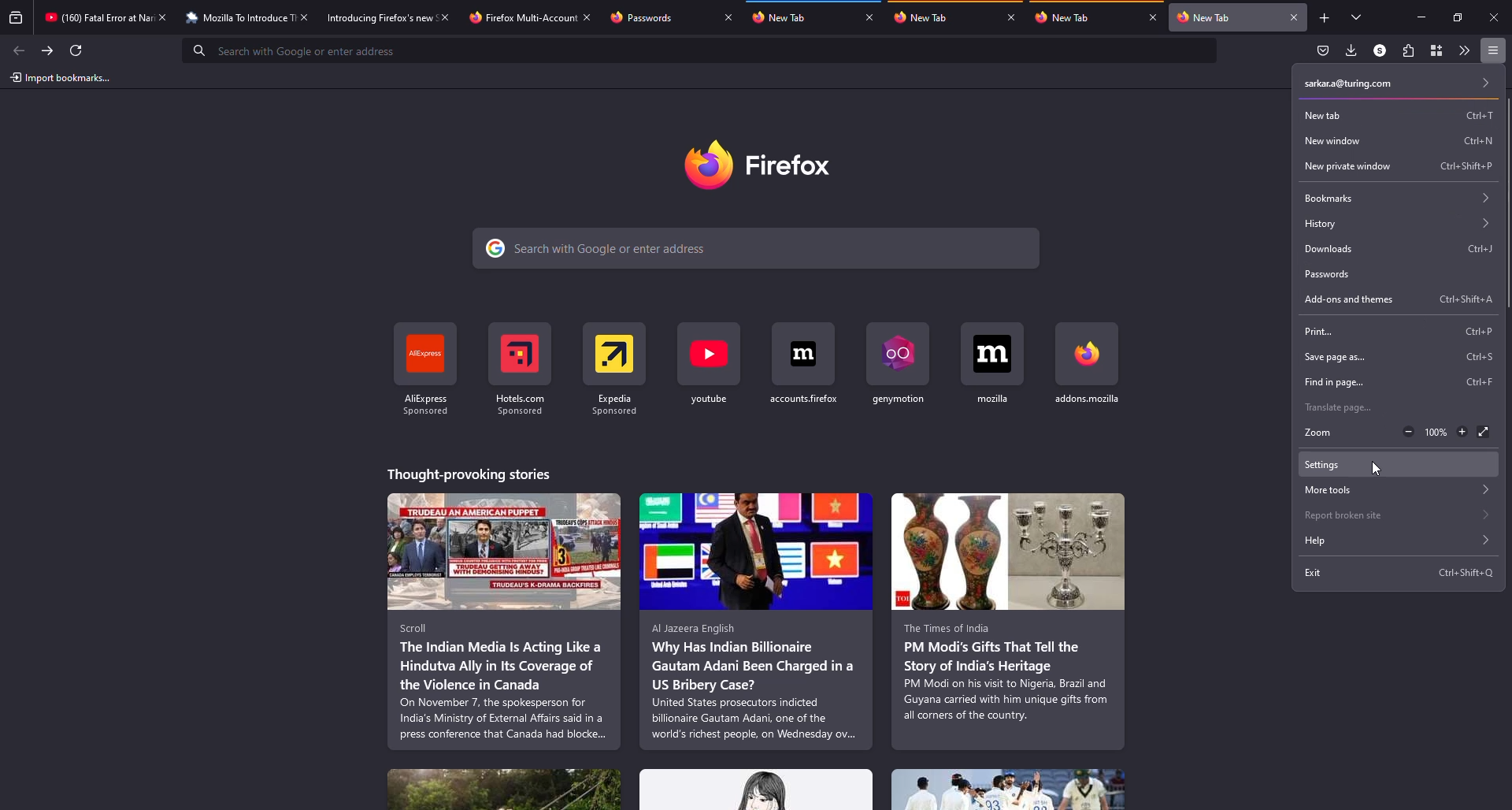  What do you see at coordinates (17, 17) in the screenshot?
I see `view recent` at bounding box center [17, 17].